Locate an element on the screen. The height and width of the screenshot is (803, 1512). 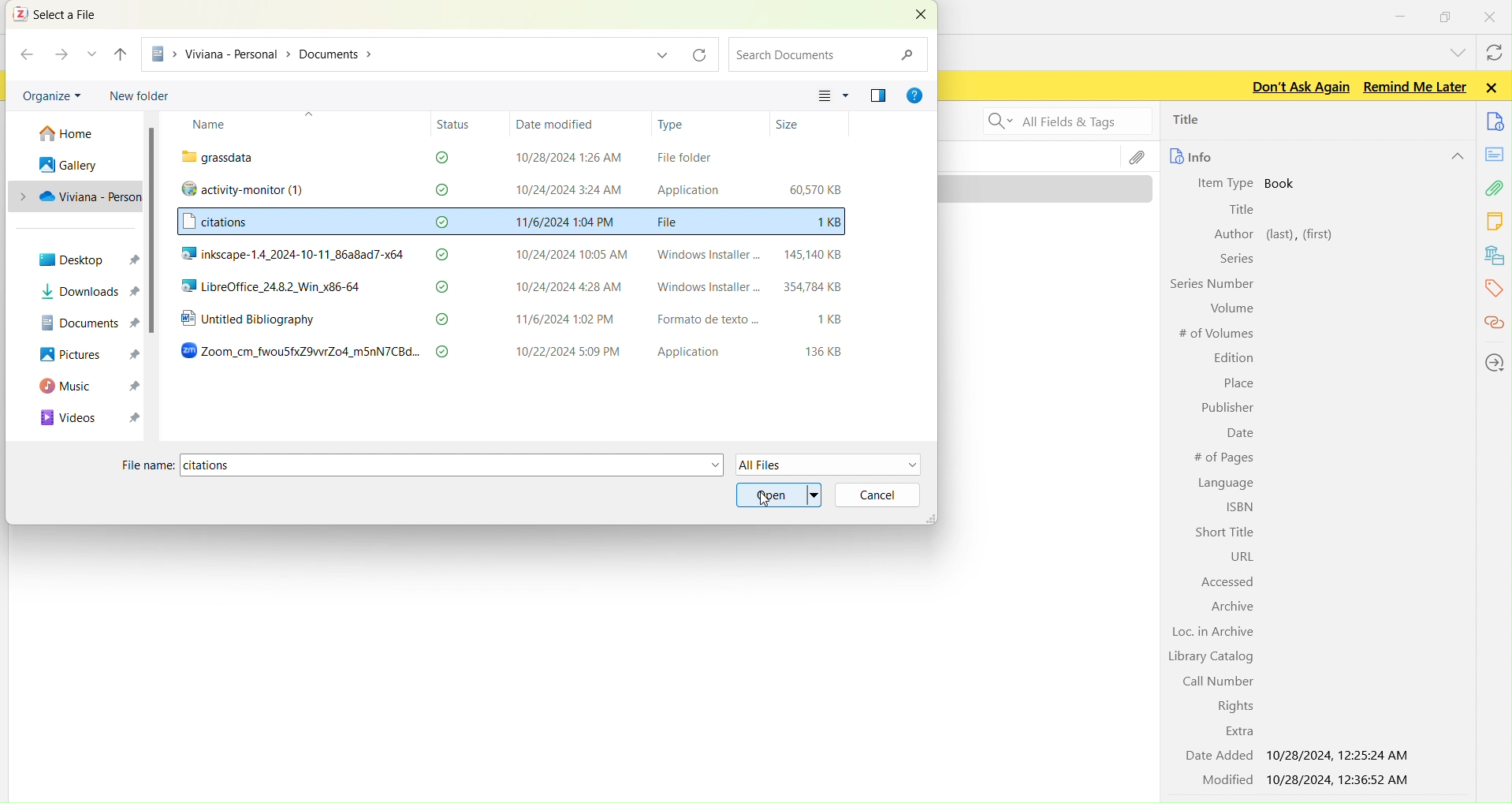
PICTURES is located at coordinates (76, 353).